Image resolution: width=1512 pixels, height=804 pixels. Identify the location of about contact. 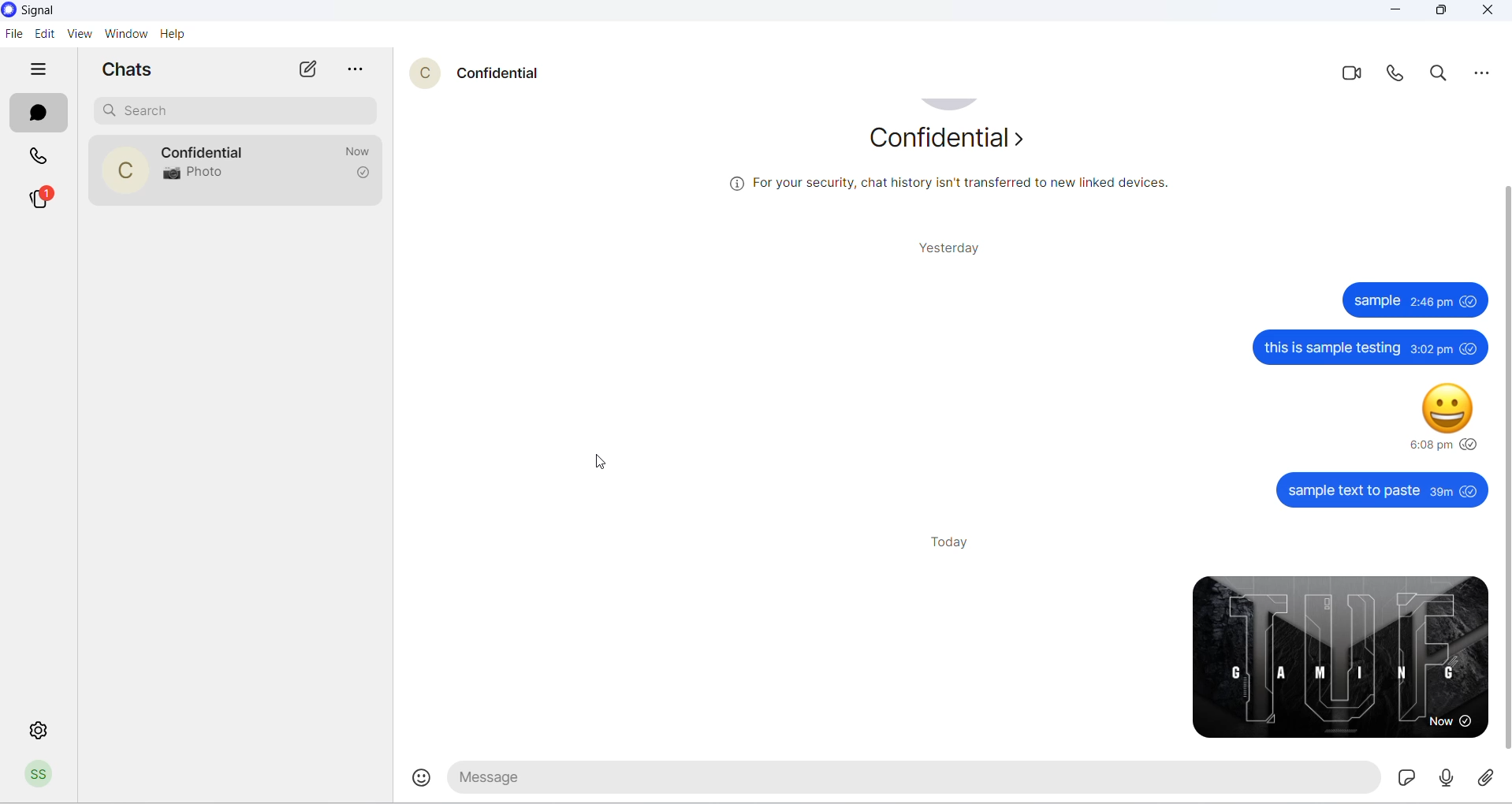
(948, 142).